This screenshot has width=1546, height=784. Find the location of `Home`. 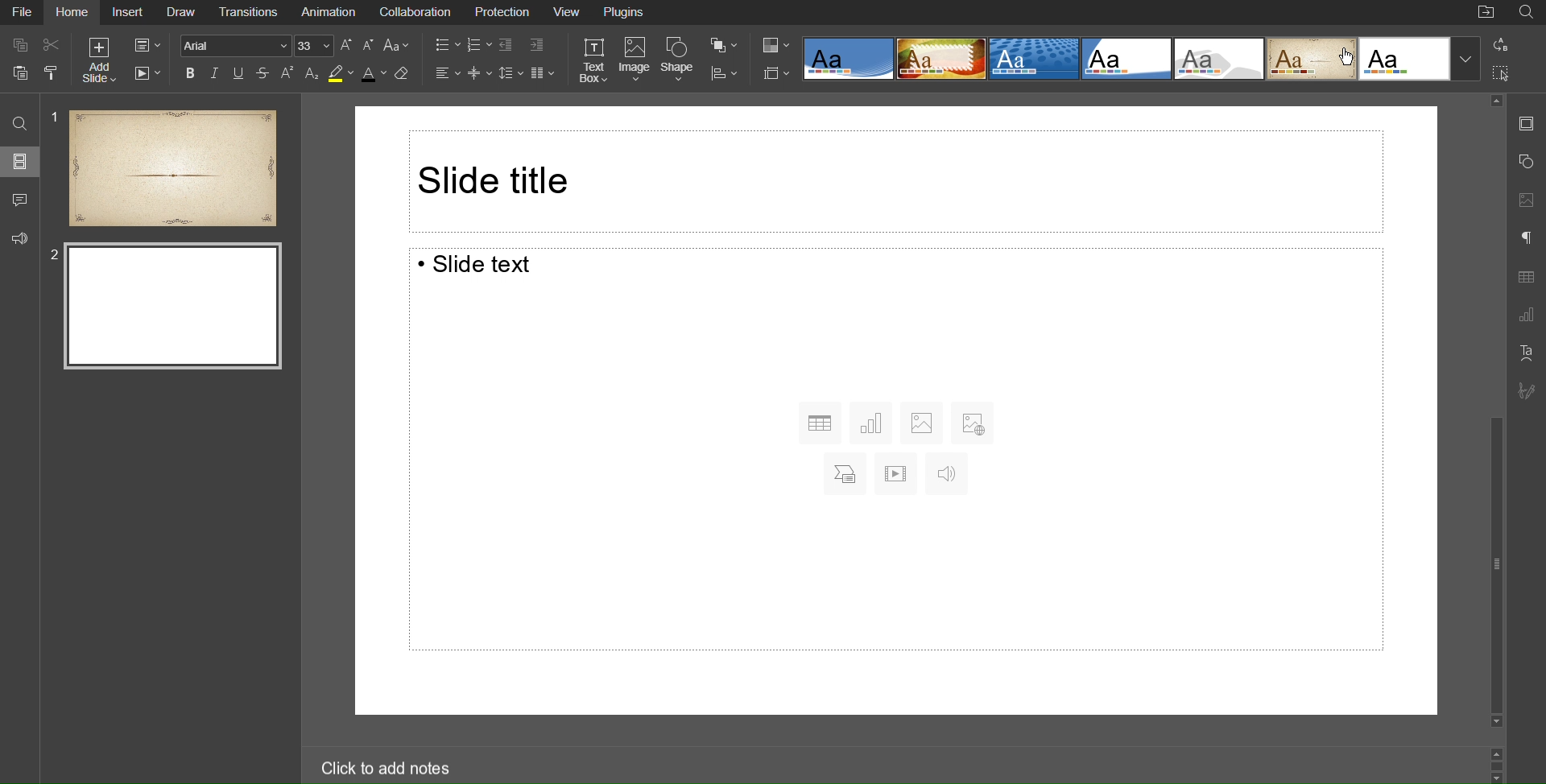

Home is located at coordinates (74, 14).